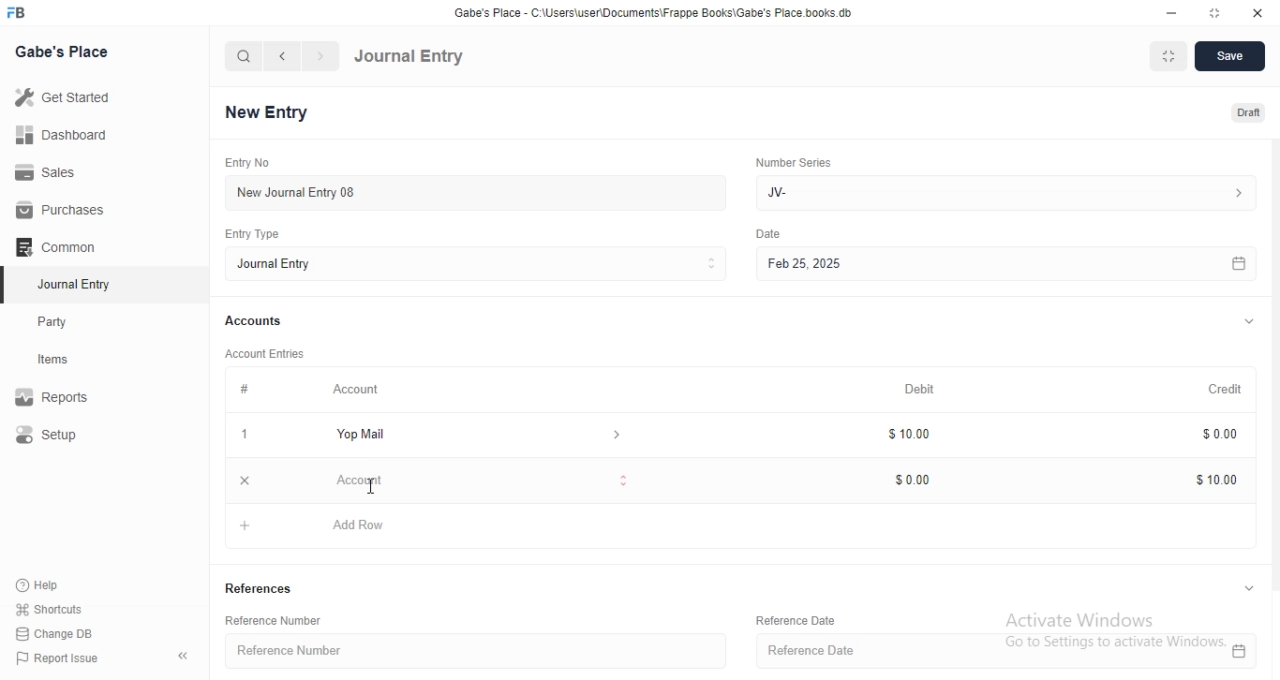 The height and width of the screenshot is (680, 1280). What do you see at coordinates (285, 56) in the screenshot?
I see `navigate backward` at bounding box center [285, 56].